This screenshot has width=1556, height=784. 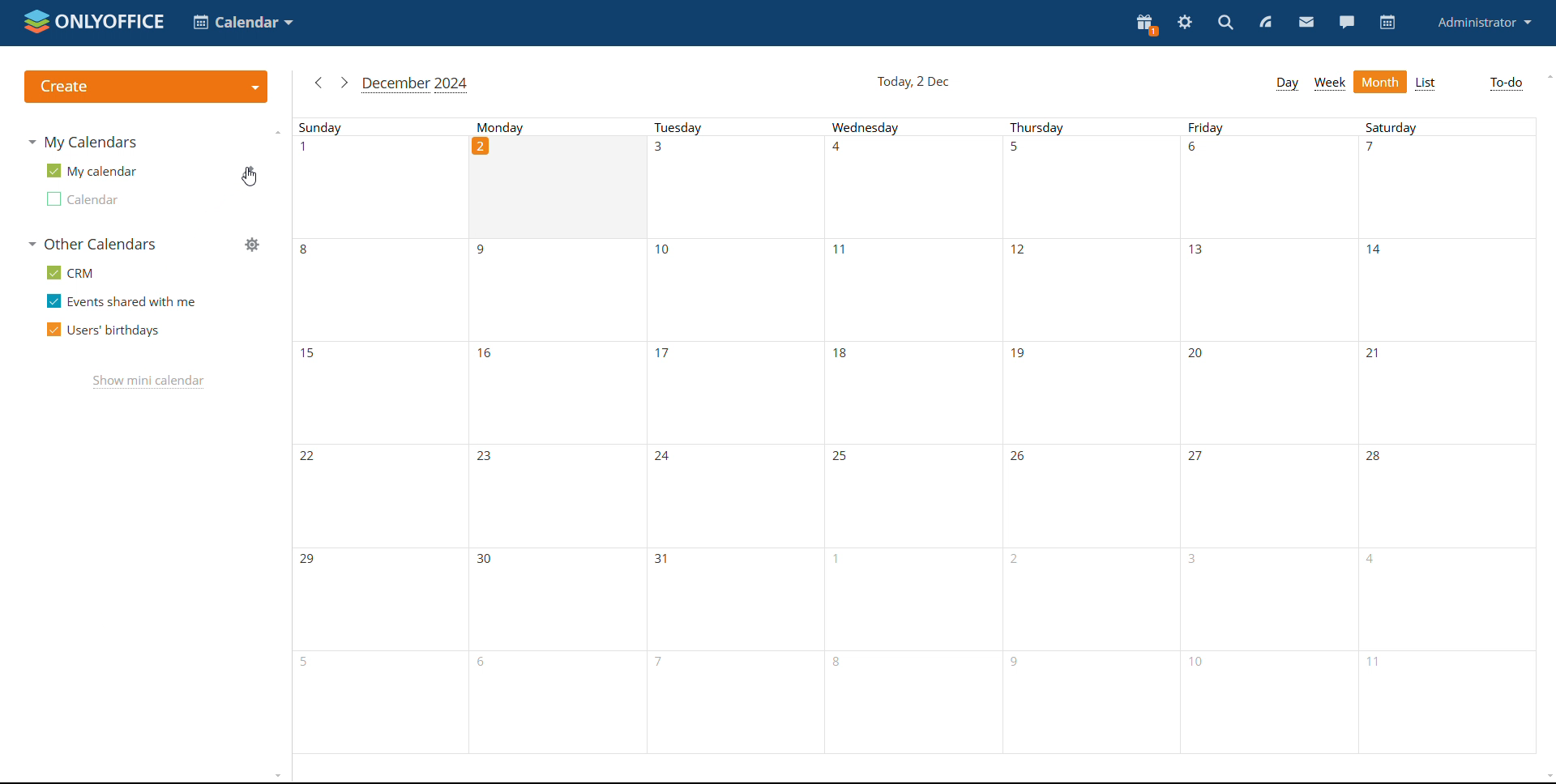 What do you see at coordinates (1379, 81) in the screenshot?
I see `month view` at bounding box center [1379, 81].